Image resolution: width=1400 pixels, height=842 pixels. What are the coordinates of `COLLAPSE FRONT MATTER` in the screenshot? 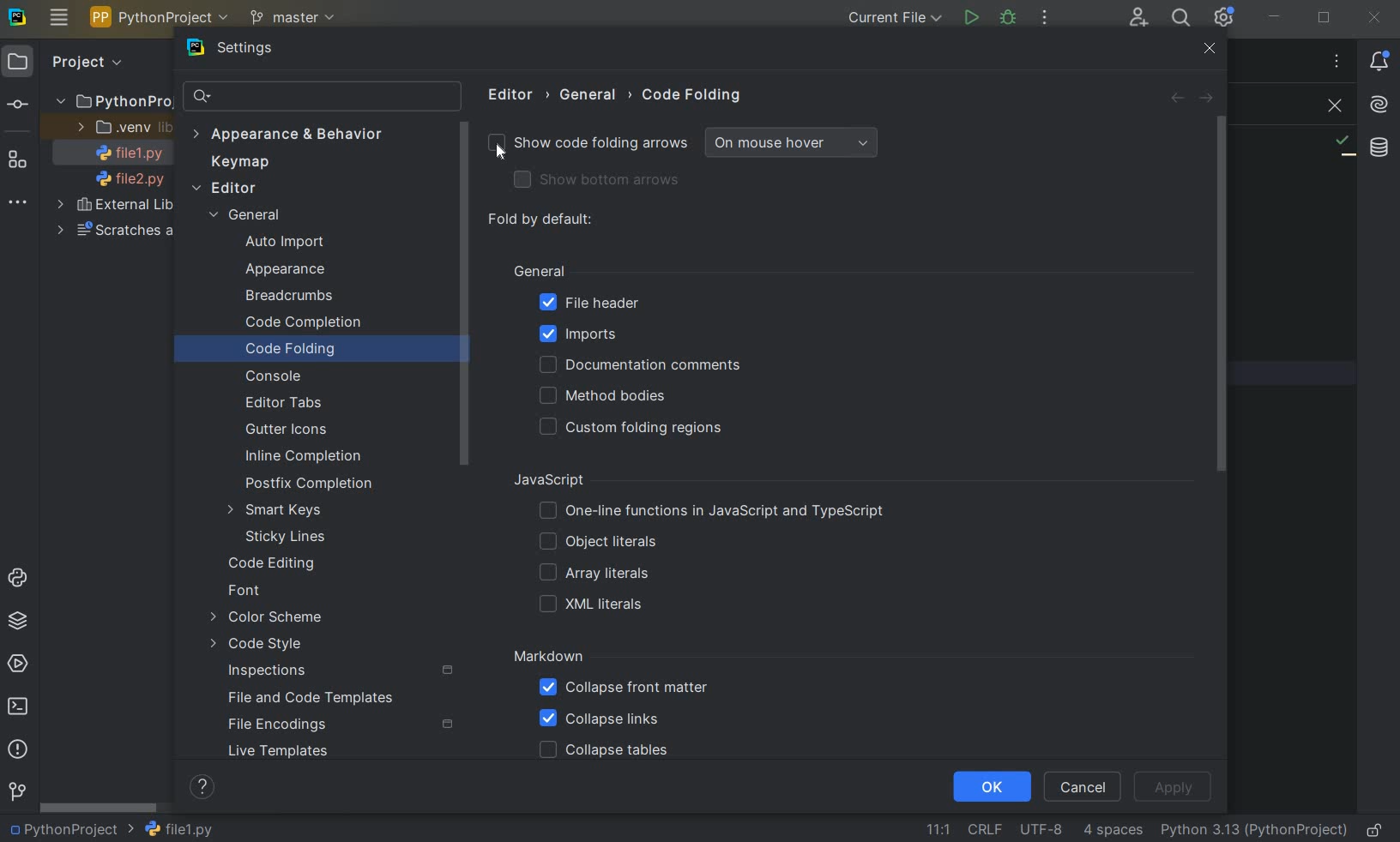 It's located at (624, 690).